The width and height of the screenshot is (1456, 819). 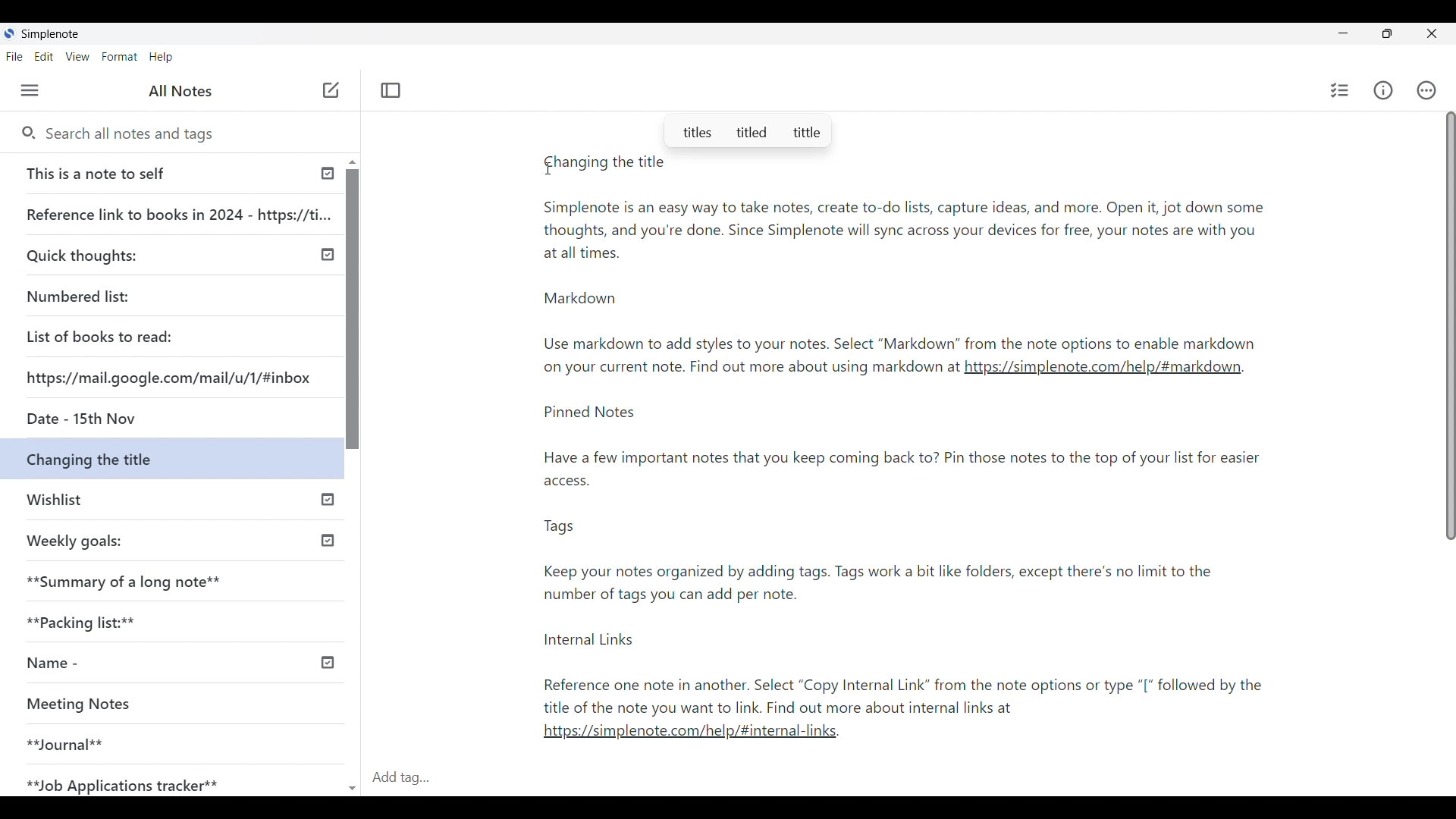 I want to click on Check icon indicates published notes, so click(x=329, y=500).